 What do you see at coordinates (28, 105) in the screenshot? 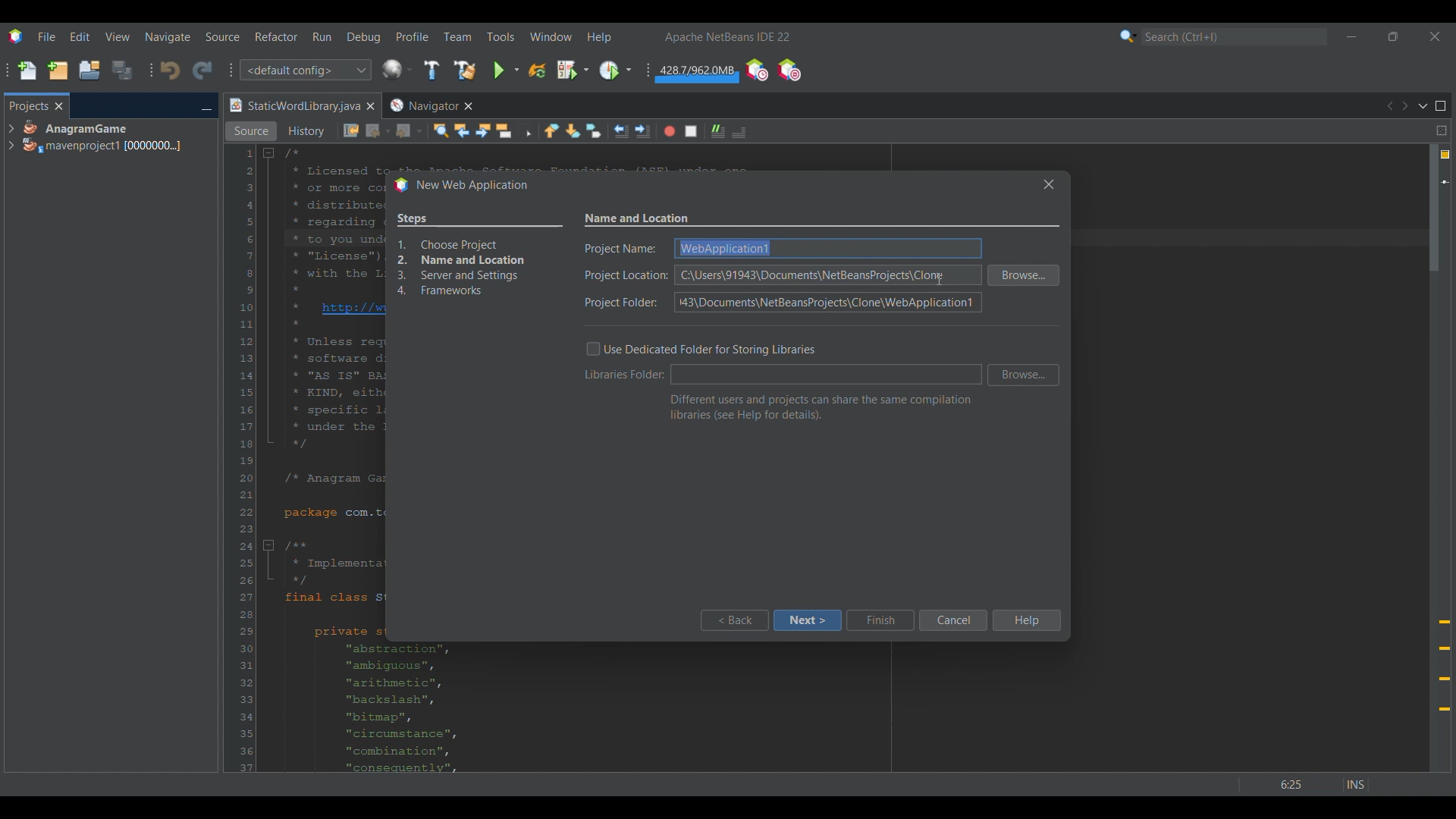
I see `Projects, current tab highlighted` at bounding box center [28, 105].